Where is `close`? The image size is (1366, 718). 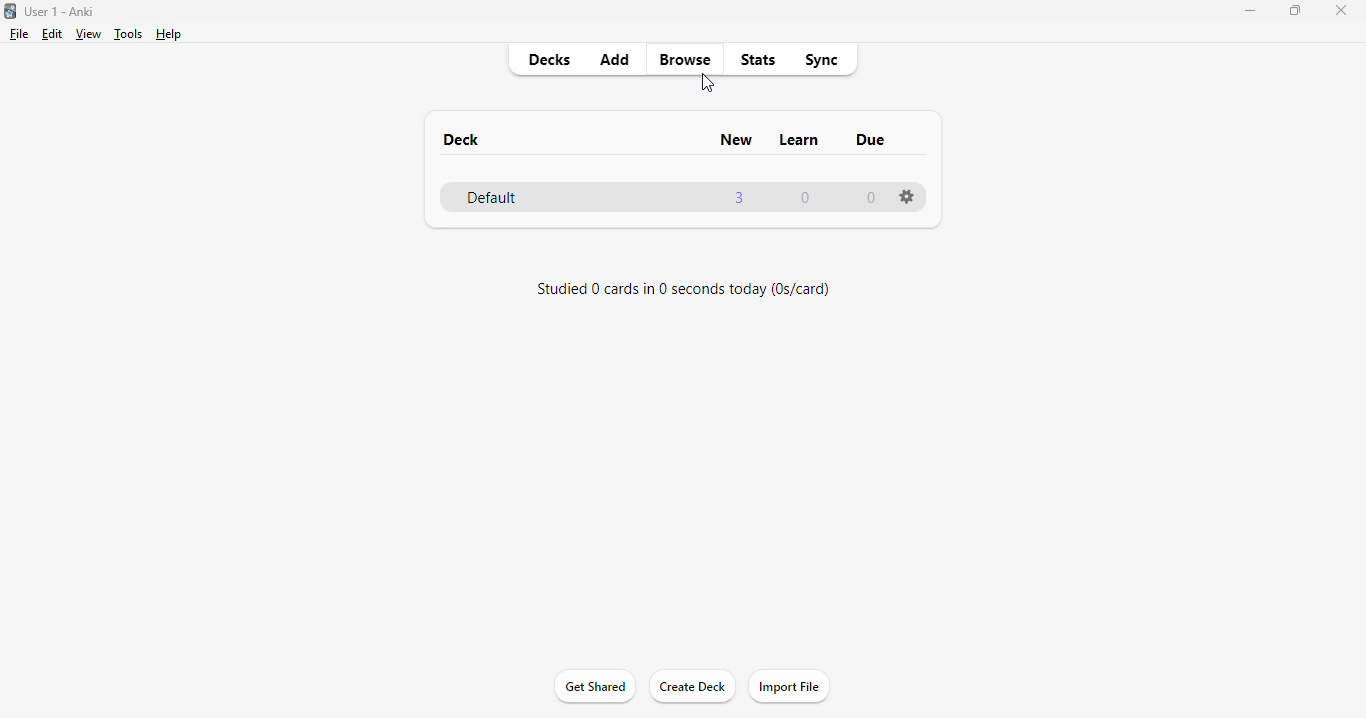
close is located at coordinates (1343, 11).